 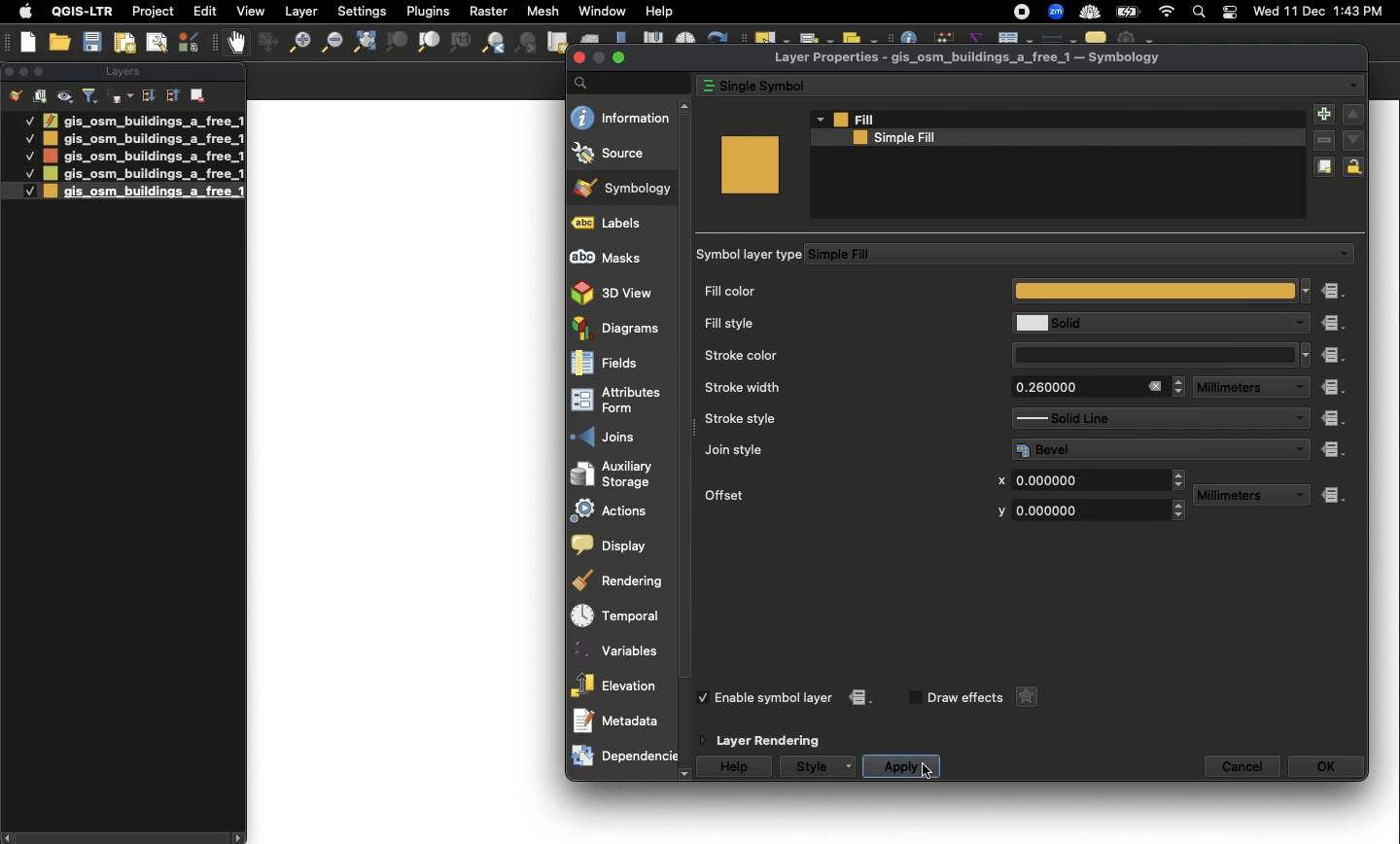 I want to click on 3D view, so click(x=620, y=292).